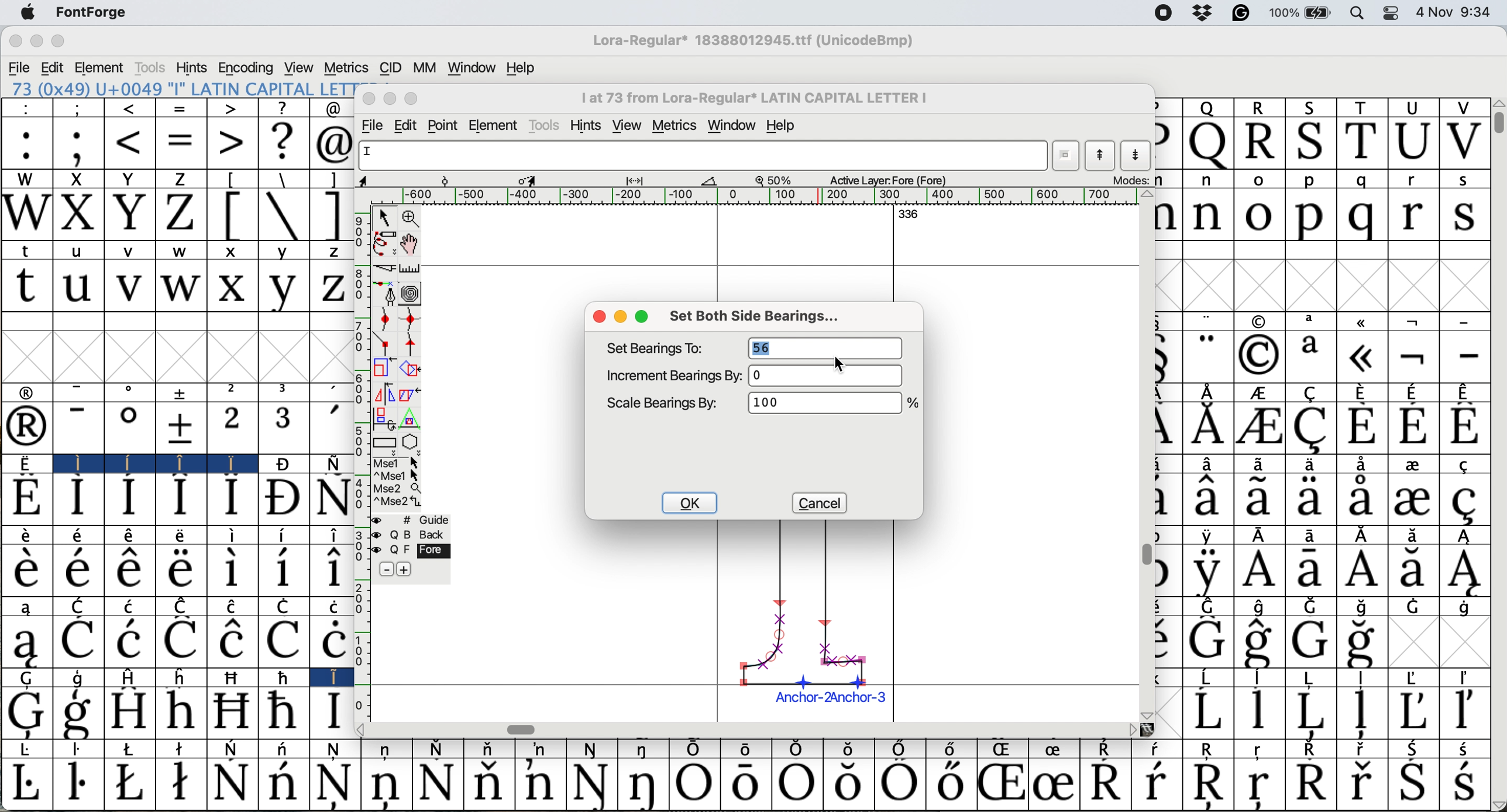  I want to click on Symbol, so click(1265, 606).